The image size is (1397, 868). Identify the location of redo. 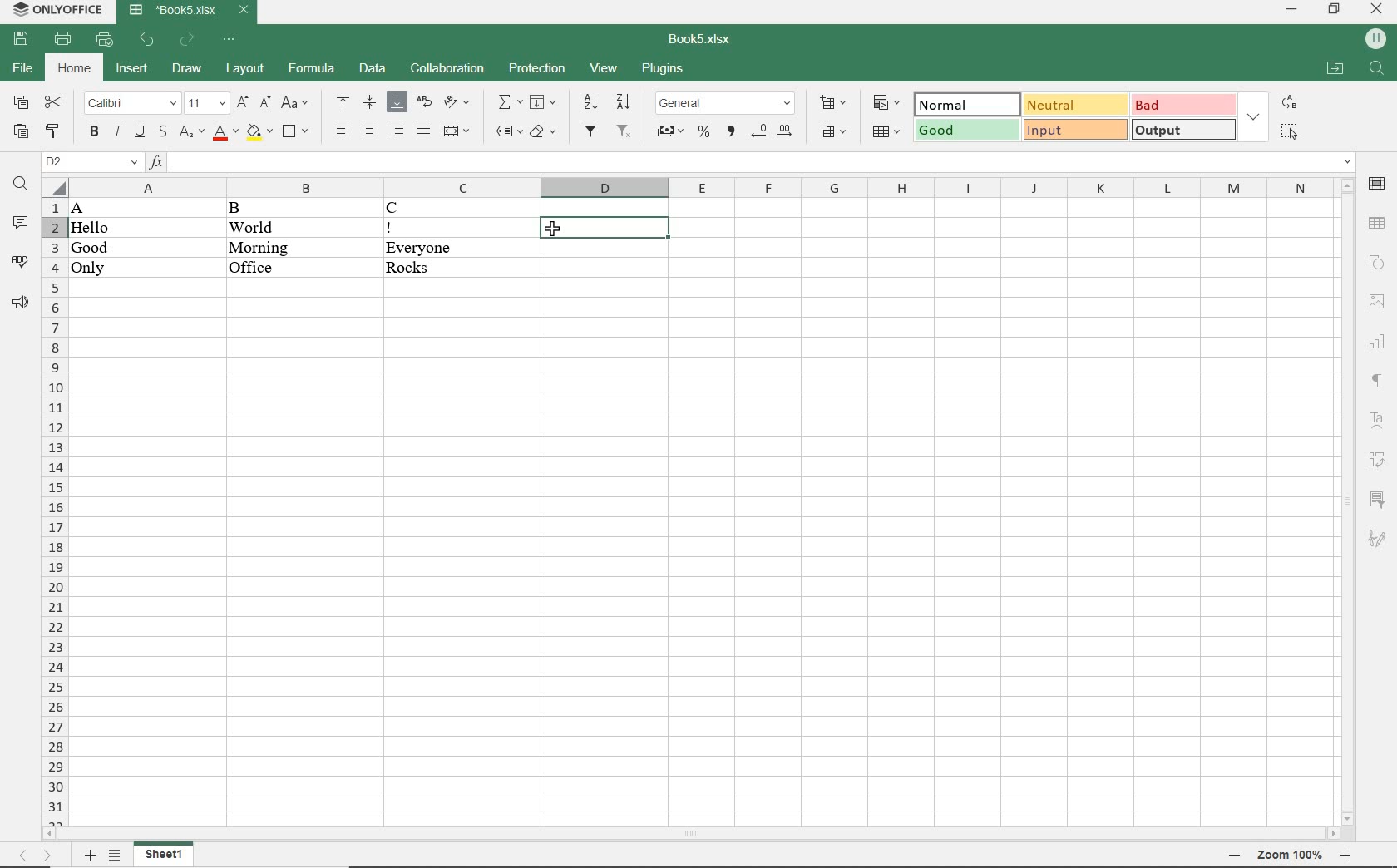
(186, 42).